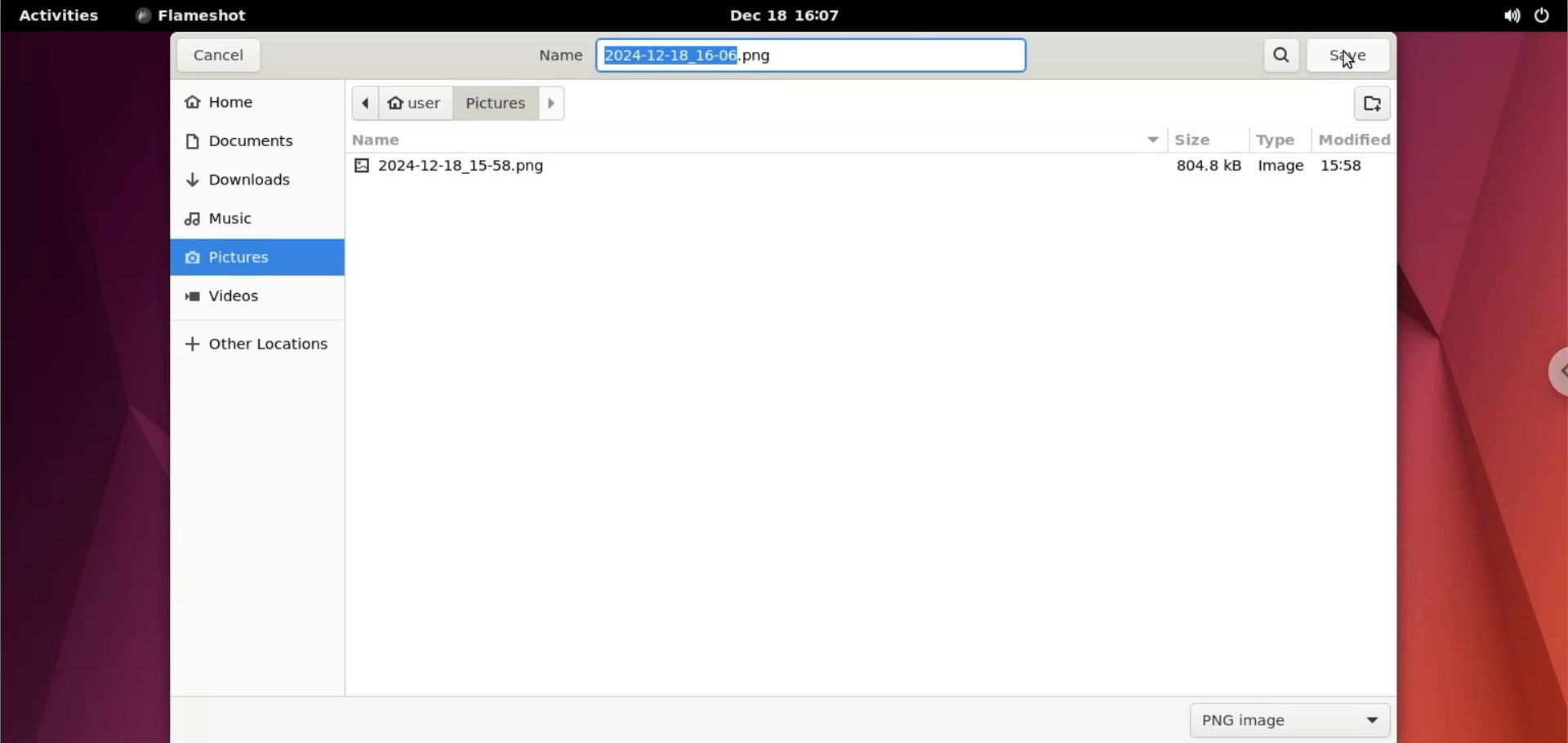 Image resolution: width=1568 pixels, height=743 pixels. Describe the element at coordinates (551, 104) in the screenshot. I see `move right` at that location.